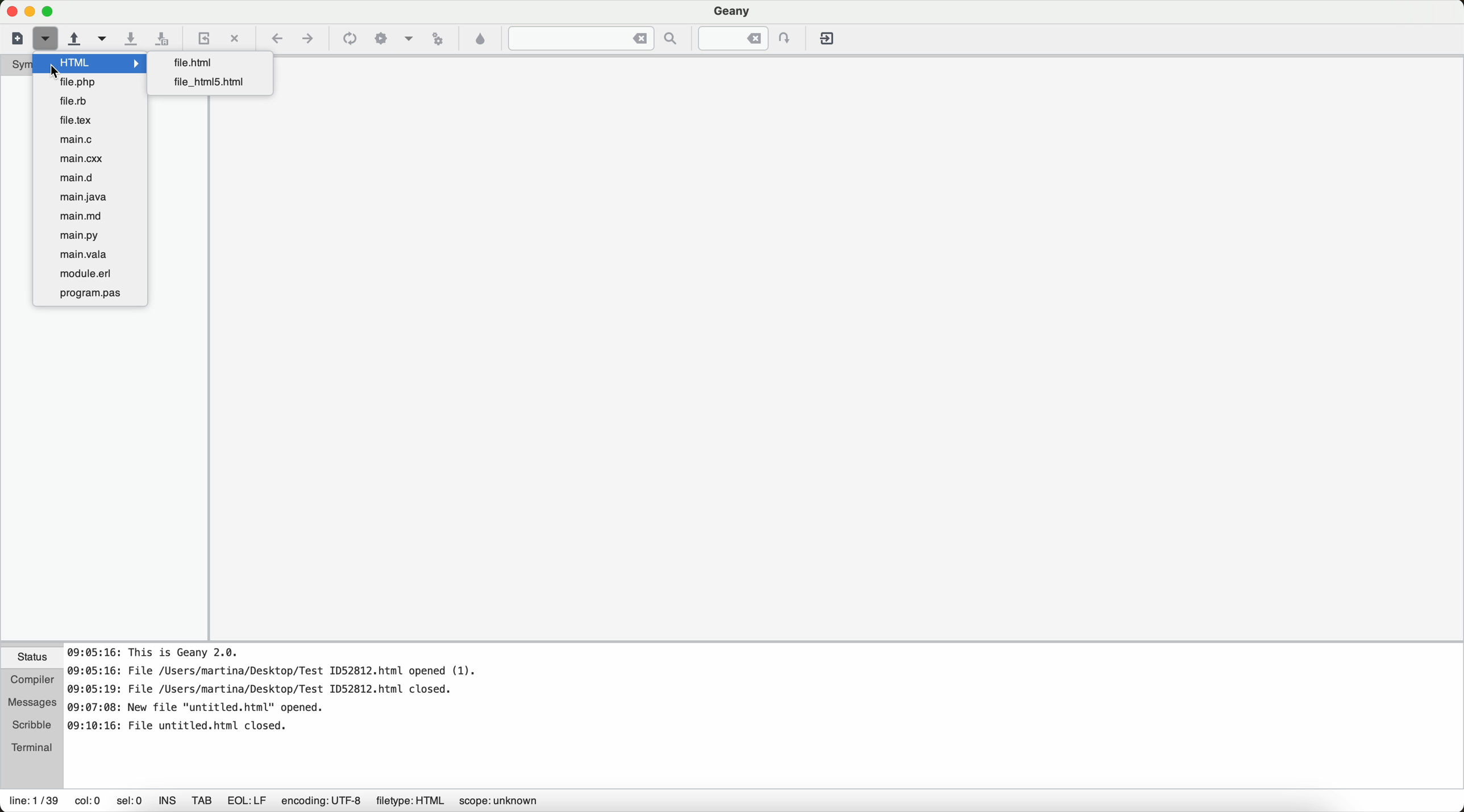 The width and height of the screenshot is (1464, 812). What do you see at coordinates (90, 157) in the screenshot?
I see `main.cxx` at bounding box center [90, 157].